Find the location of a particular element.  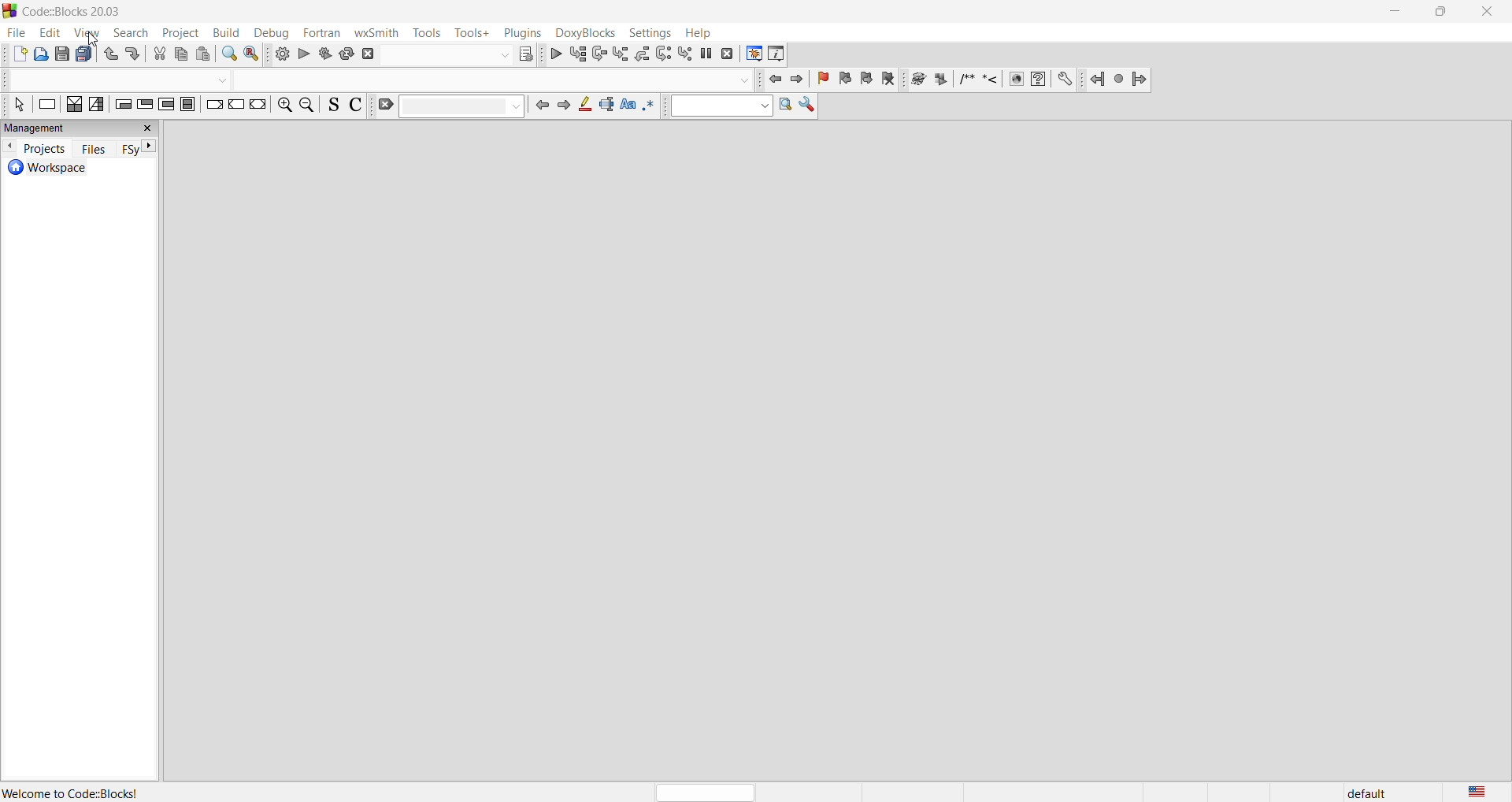

fortran is located at coordinates (323, 33).